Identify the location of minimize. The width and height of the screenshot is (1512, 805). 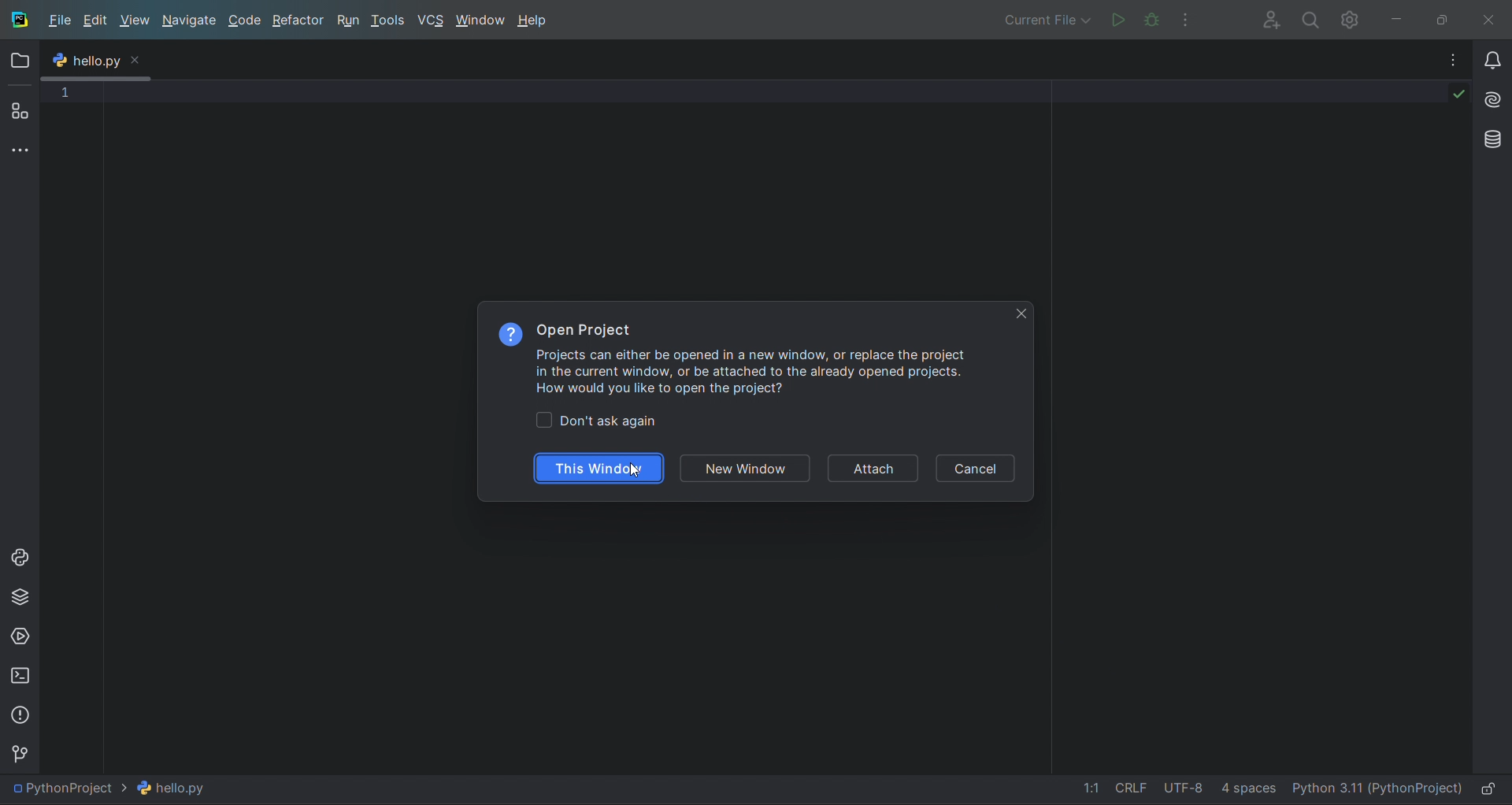
(1405, 17).